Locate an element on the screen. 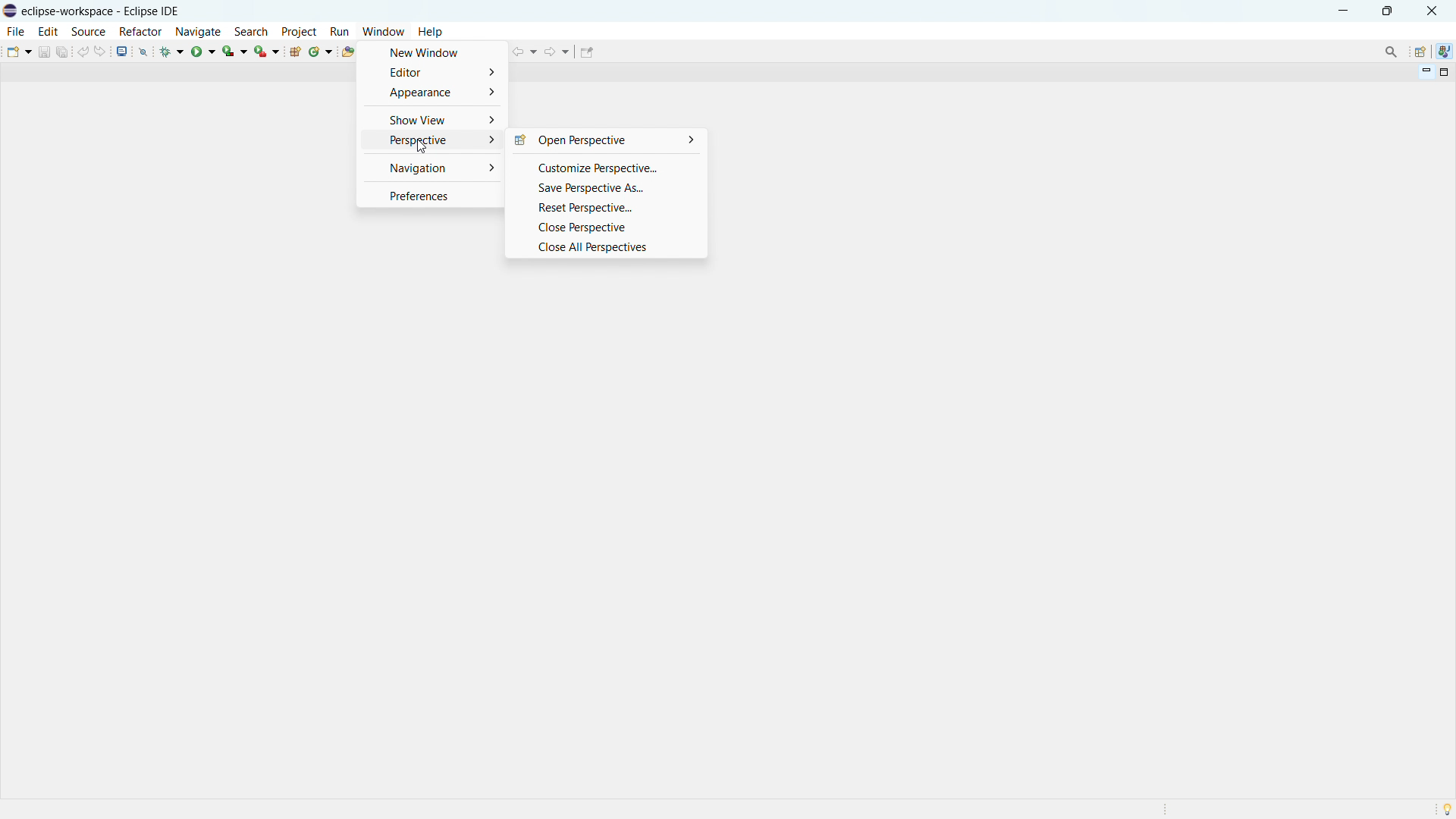 The height and width of the screenshot is (819, 1456). edit is located at coordinates (49, 31).